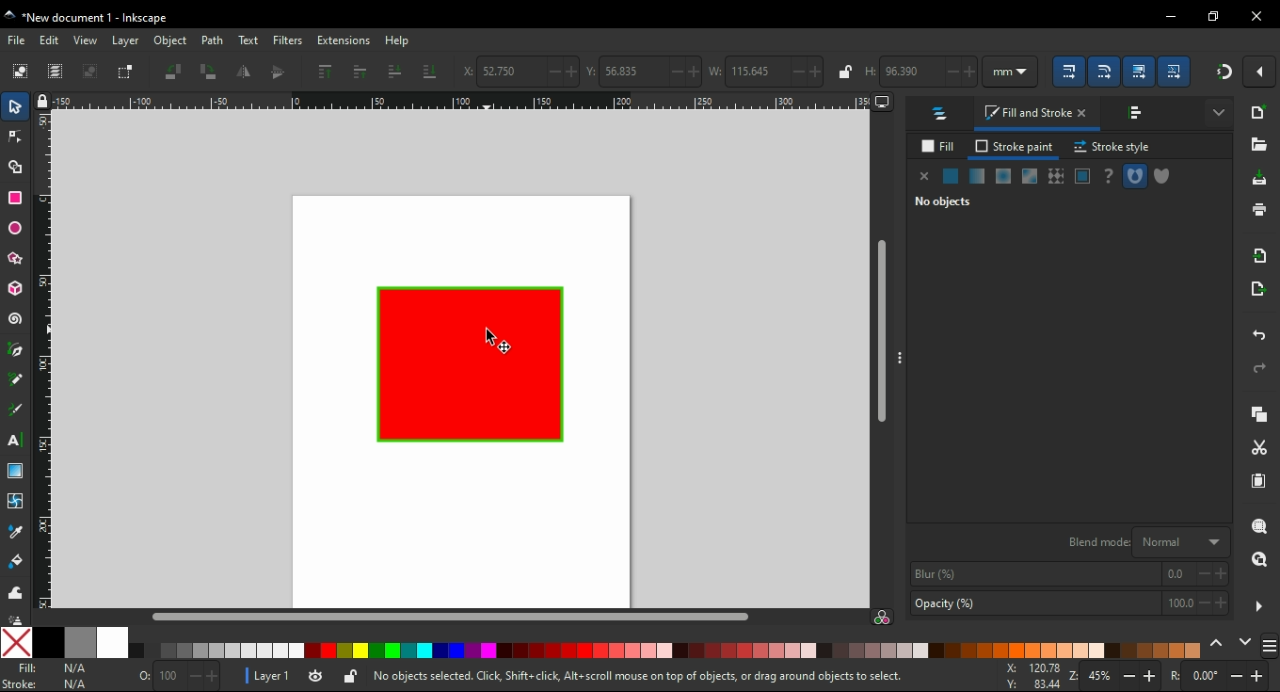  Describe the element at coordinates (84, 40) in the screenshot. I see `view` at that location.